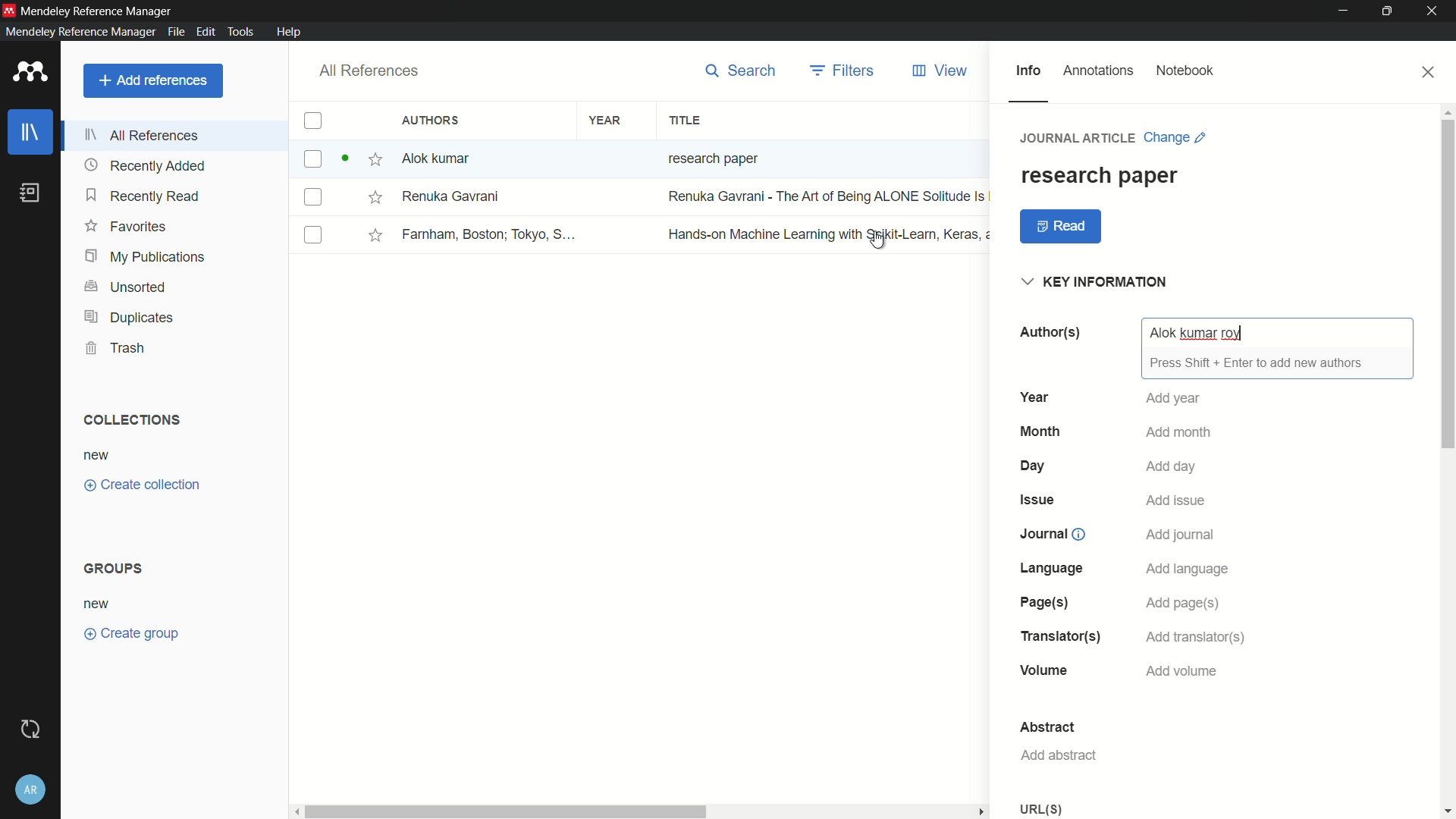 The height and width of the screenshot is (819, 1456). I want to click on book, so click(33, 193).